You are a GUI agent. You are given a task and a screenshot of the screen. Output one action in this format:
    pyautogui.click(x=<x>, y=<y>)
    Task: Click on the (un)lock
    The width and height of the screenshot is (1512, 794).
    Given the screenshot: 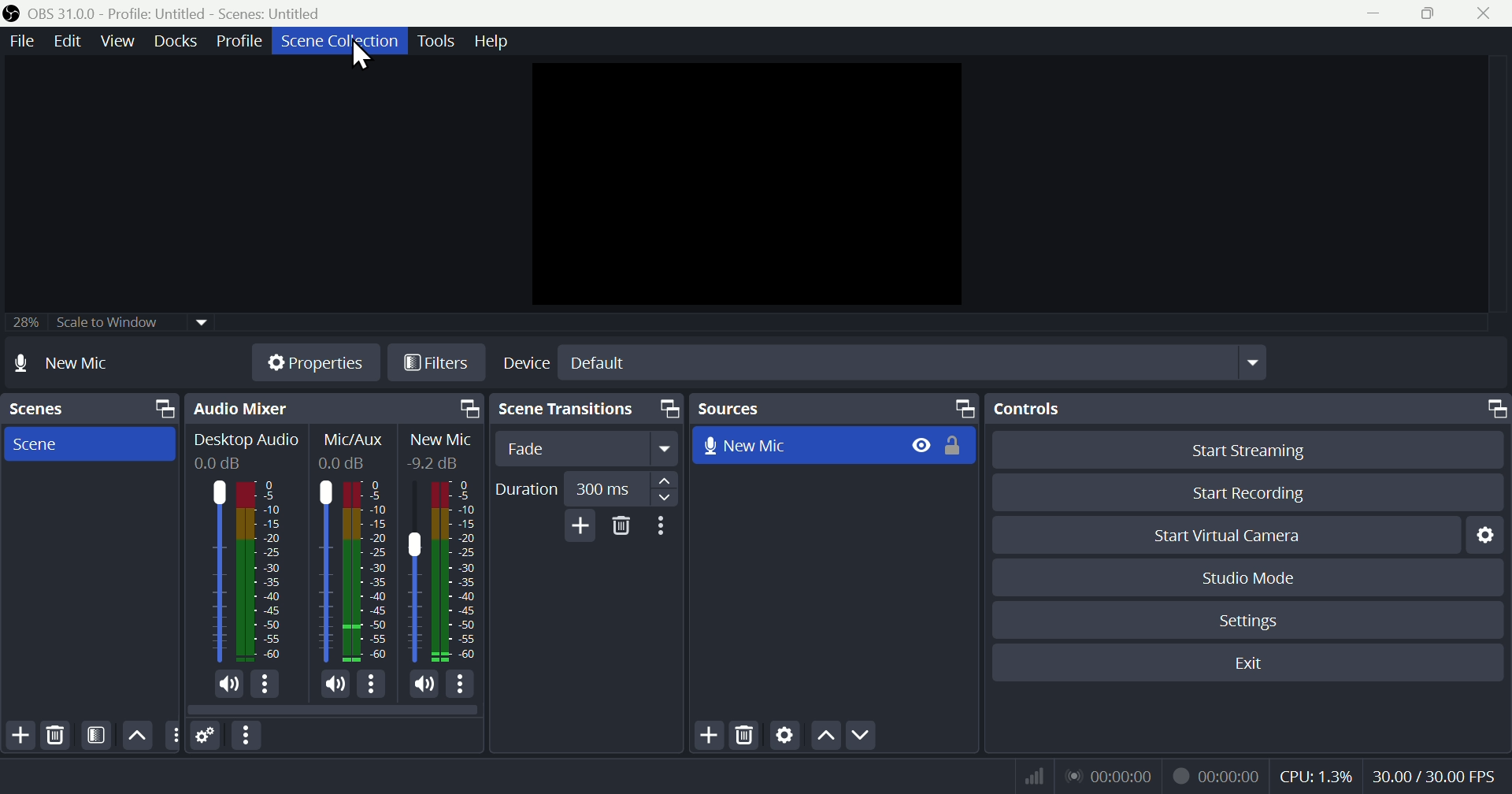 What is the action you would take?
    pyautogui.click(x=956, y=446)
    